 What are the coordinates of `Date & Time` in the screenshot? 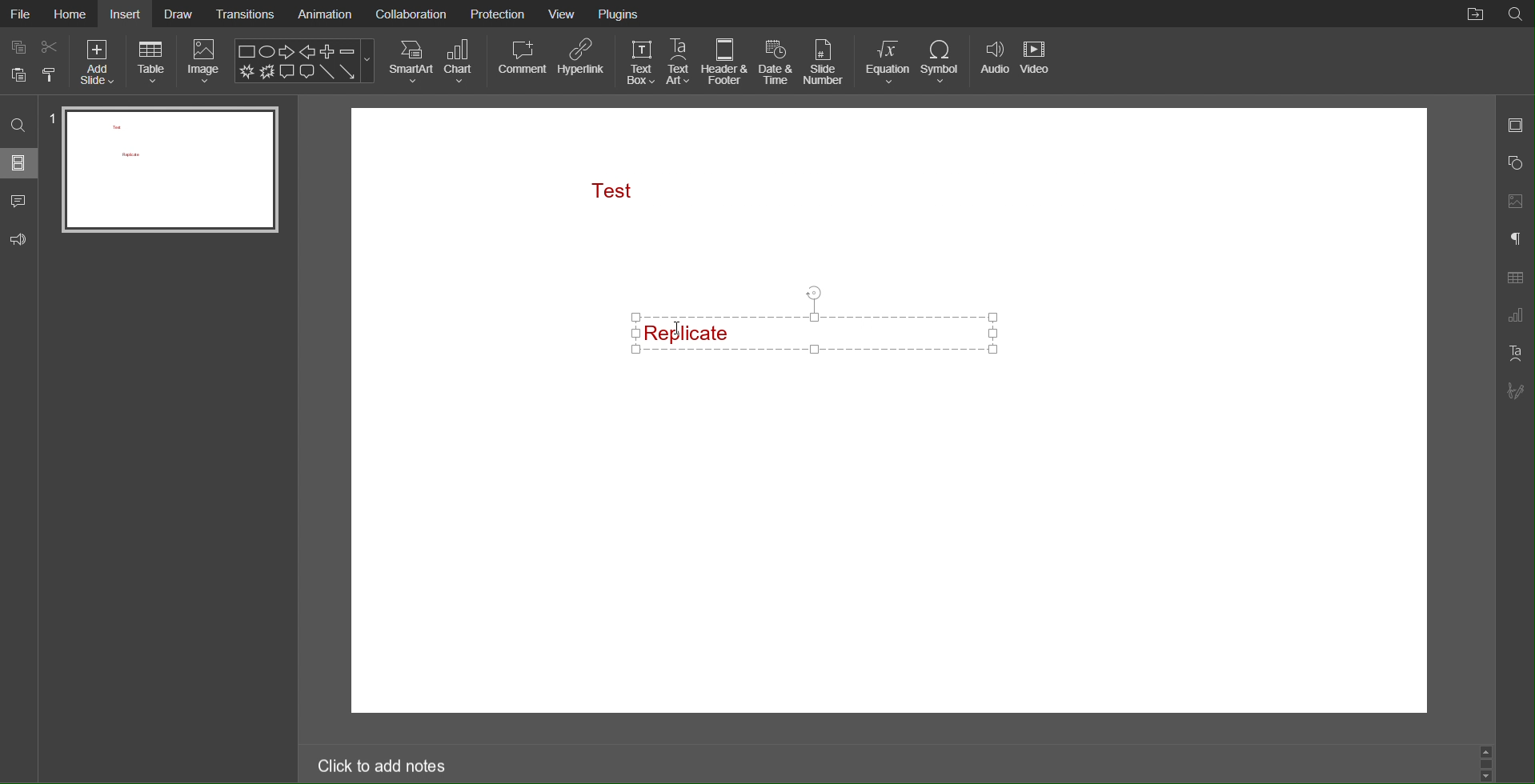 It's located at (776, 62).